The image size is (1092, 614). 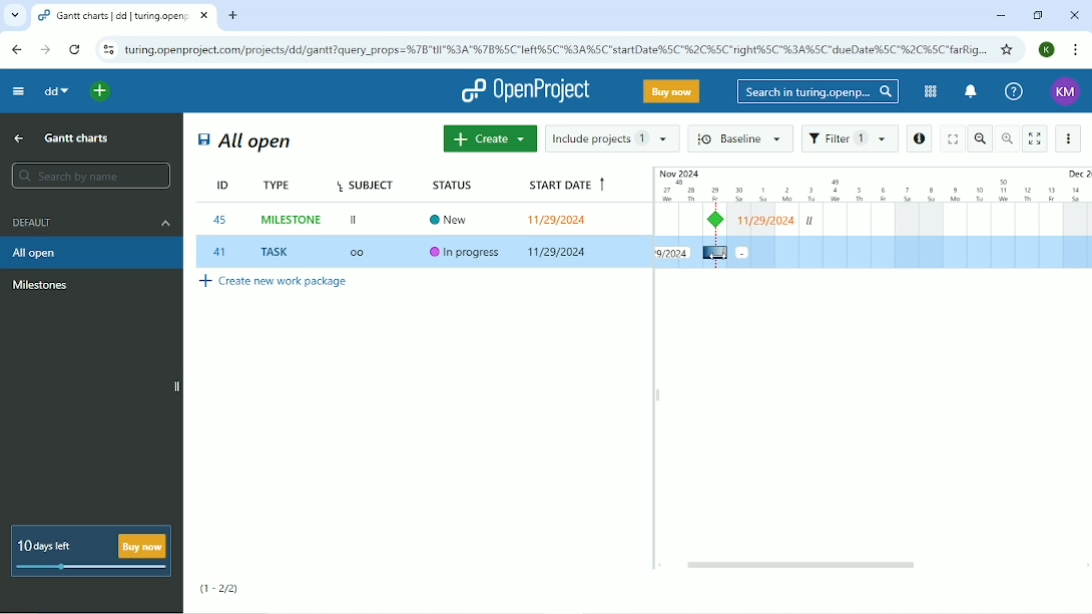 What do you see at coordinates (355, 221) in the screenshot?
I see `II` at bounding box center [355, 221].